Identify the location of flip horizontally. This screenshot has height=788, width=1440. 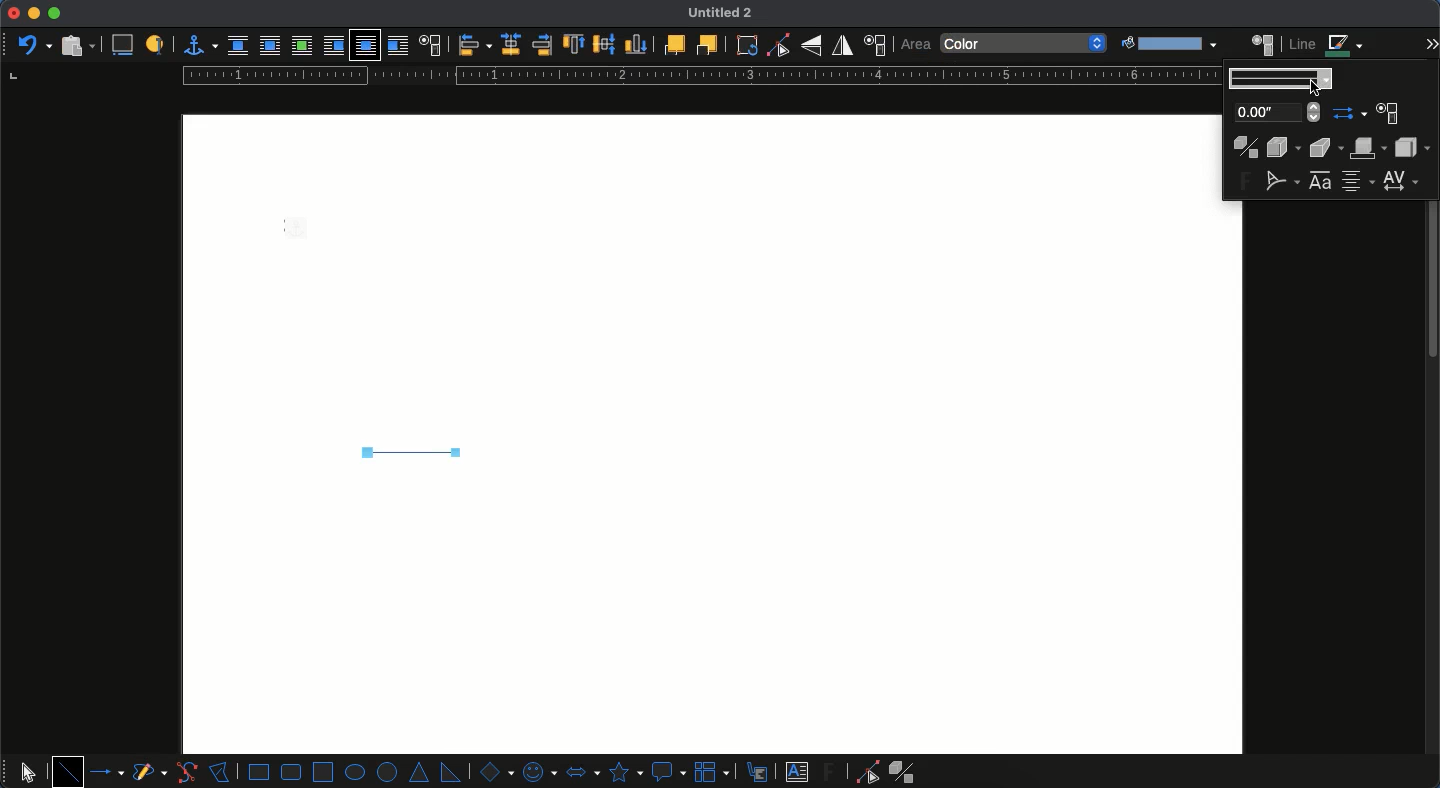
(843, 45).